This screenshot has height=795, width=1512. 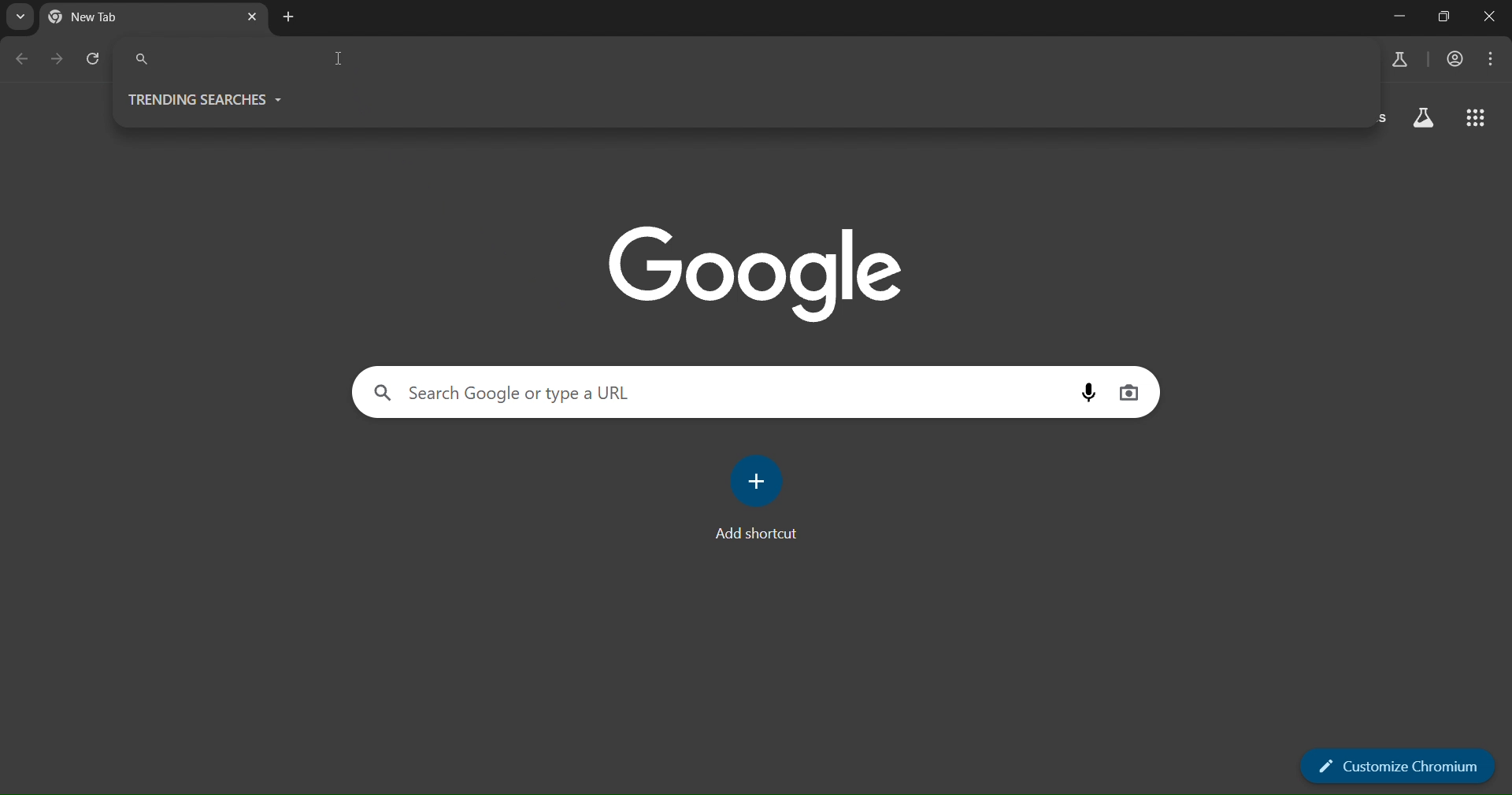 What do you see at coordinates (99, 19) in the screenshot?
I see `current tab` at bounding box center [99, 19].